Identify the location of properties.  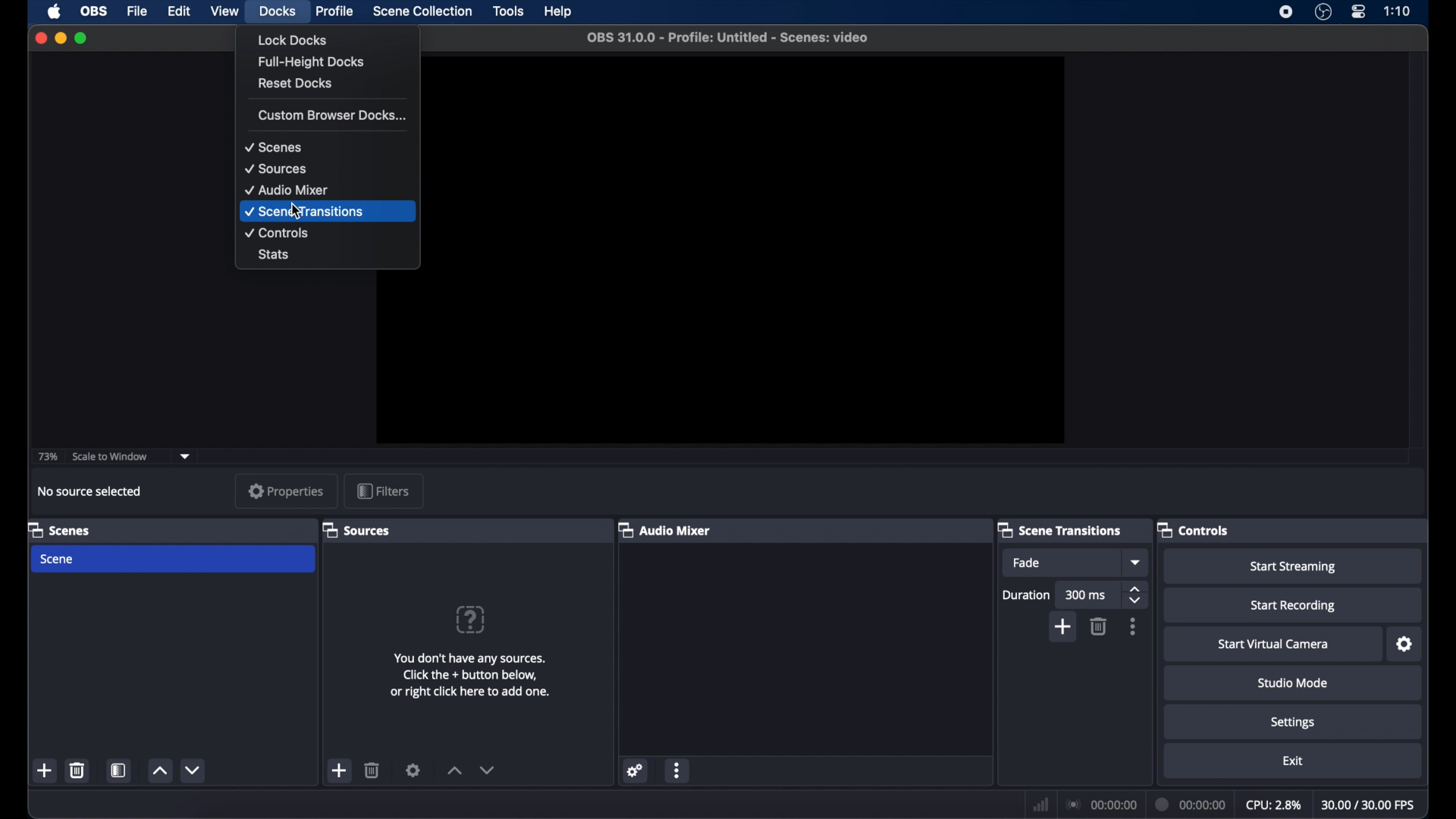
(286, 490).